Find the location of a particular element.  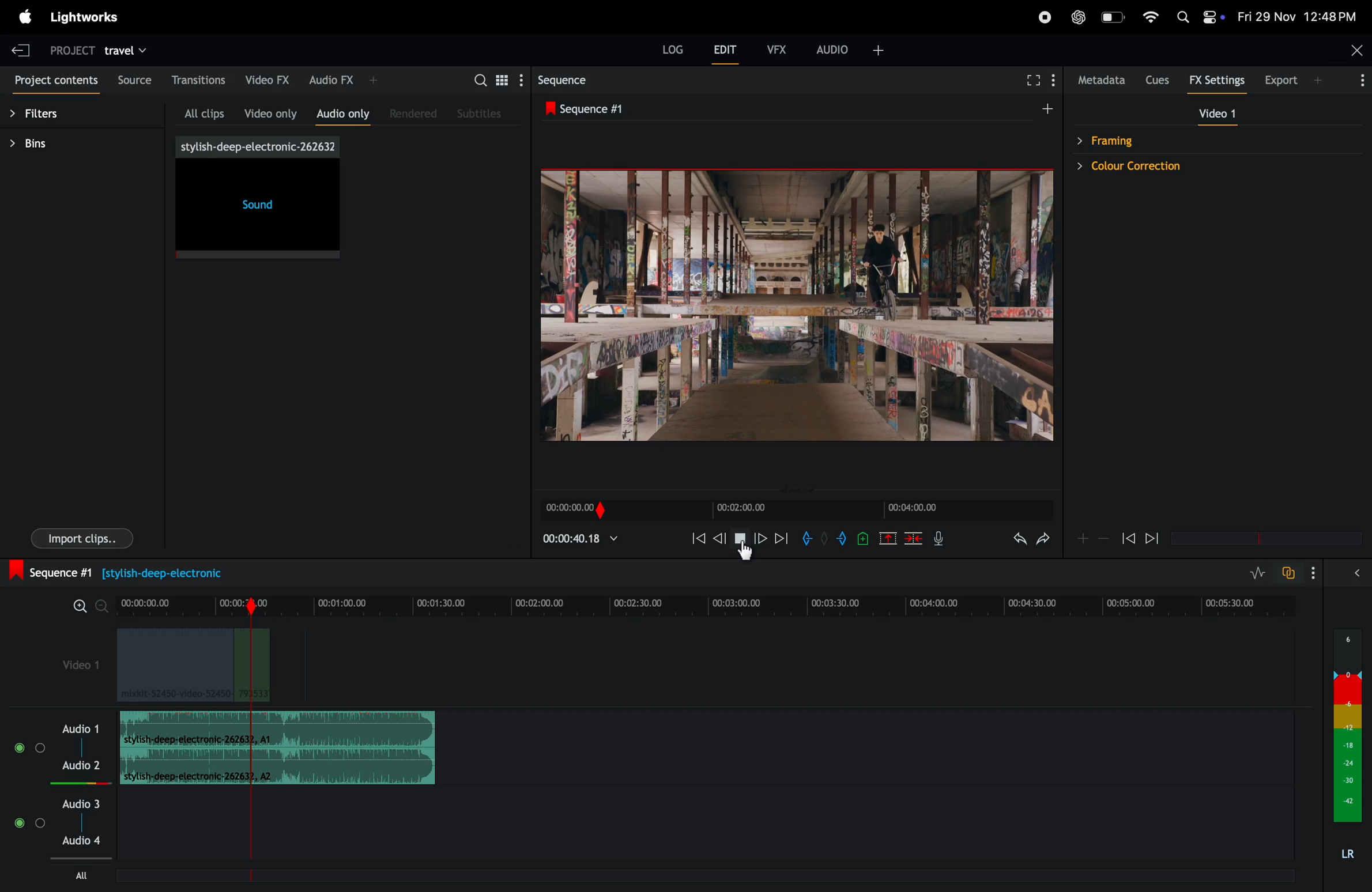

meta data is located at coordinates (1102, 81).